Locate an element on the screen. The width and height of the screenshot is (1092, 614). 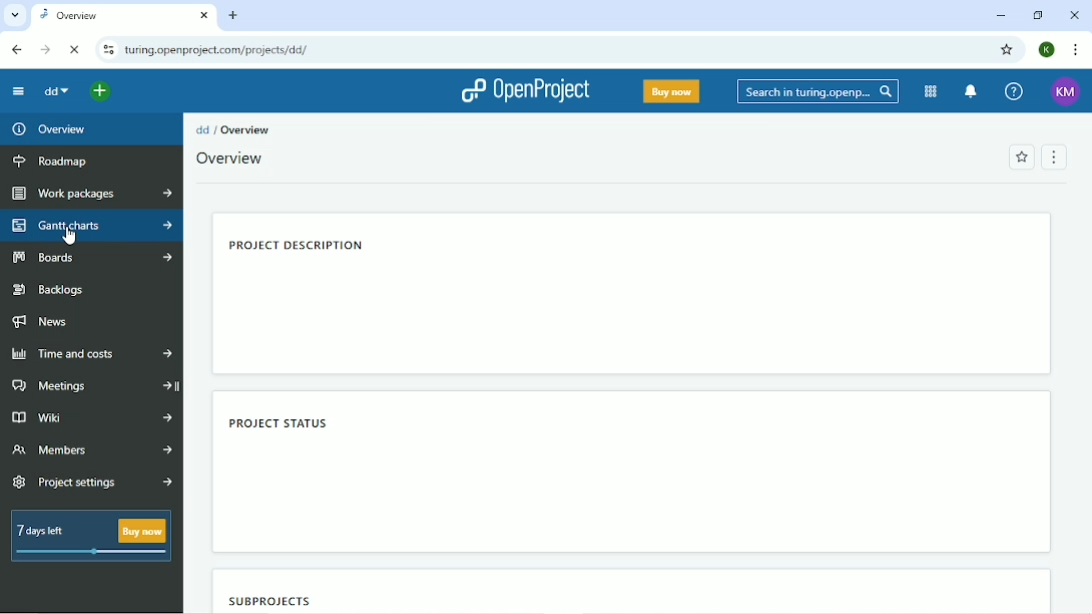
Projects is located at coordinates (342, 130).